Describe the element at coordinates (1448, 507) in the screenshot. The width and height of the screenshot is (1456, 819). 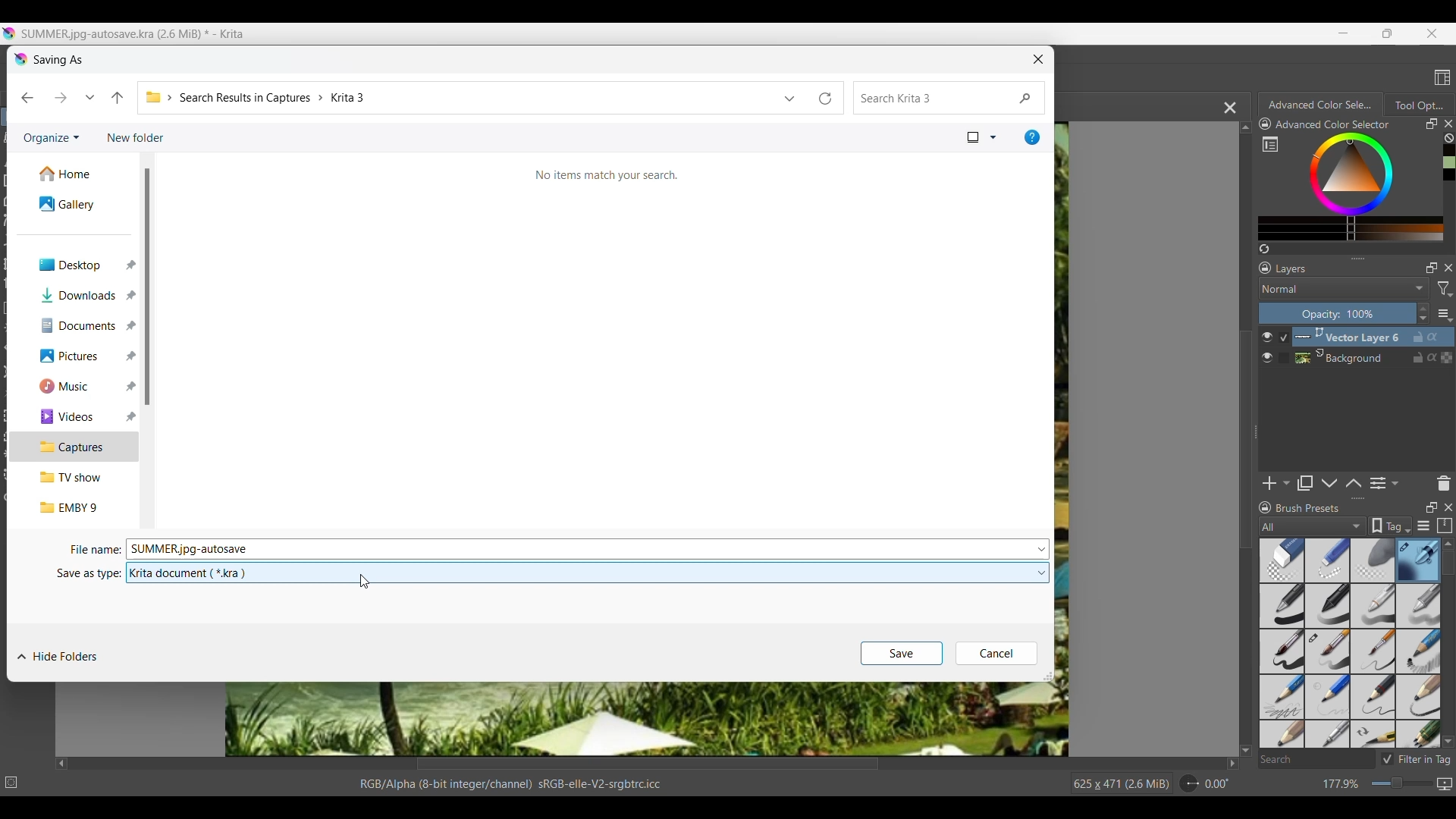
I see `Close panel` at that location.